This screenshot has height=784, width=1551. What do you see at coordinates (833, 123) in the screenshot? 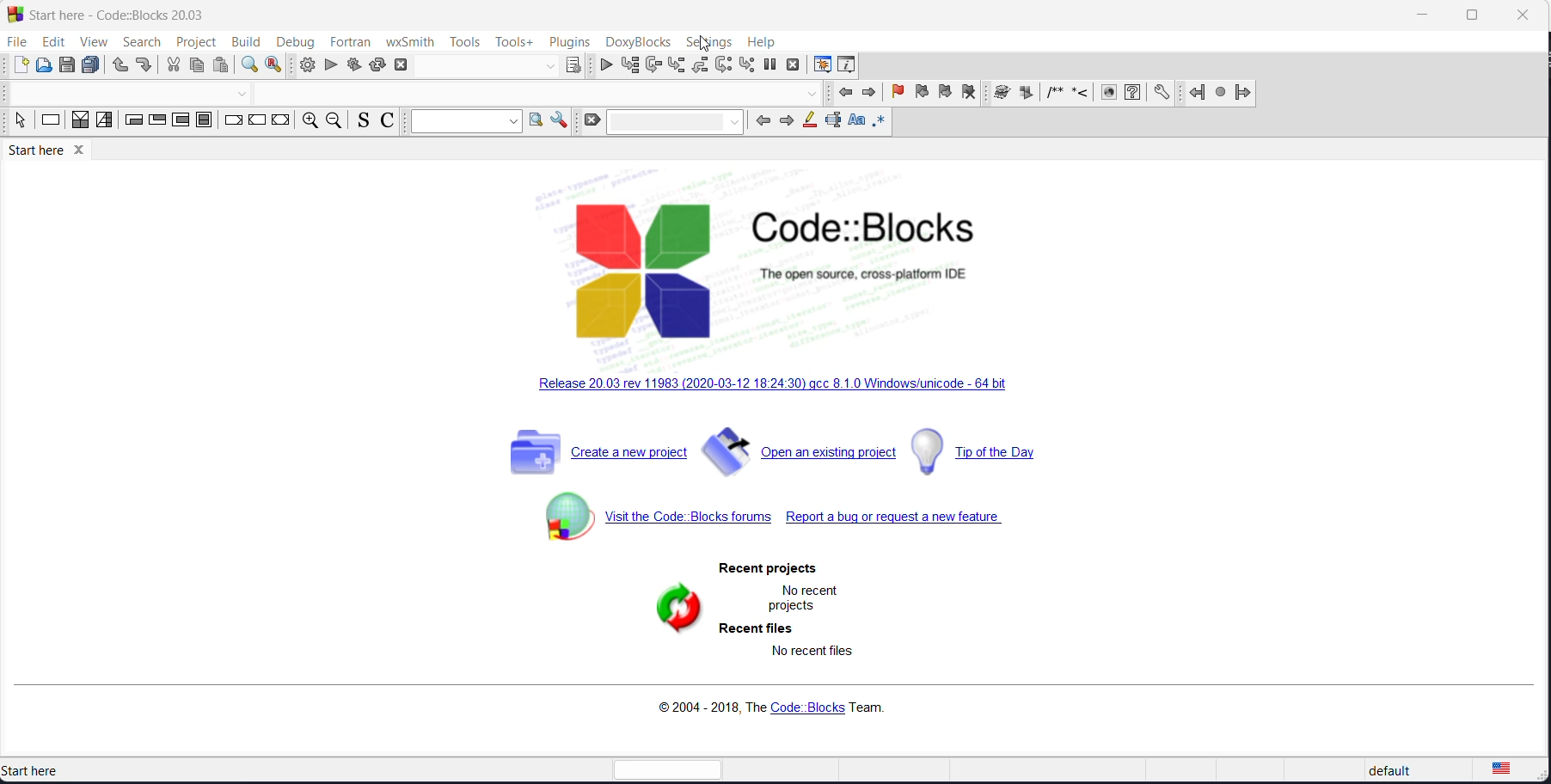
I see `select text` at bounding box center [833, 123].